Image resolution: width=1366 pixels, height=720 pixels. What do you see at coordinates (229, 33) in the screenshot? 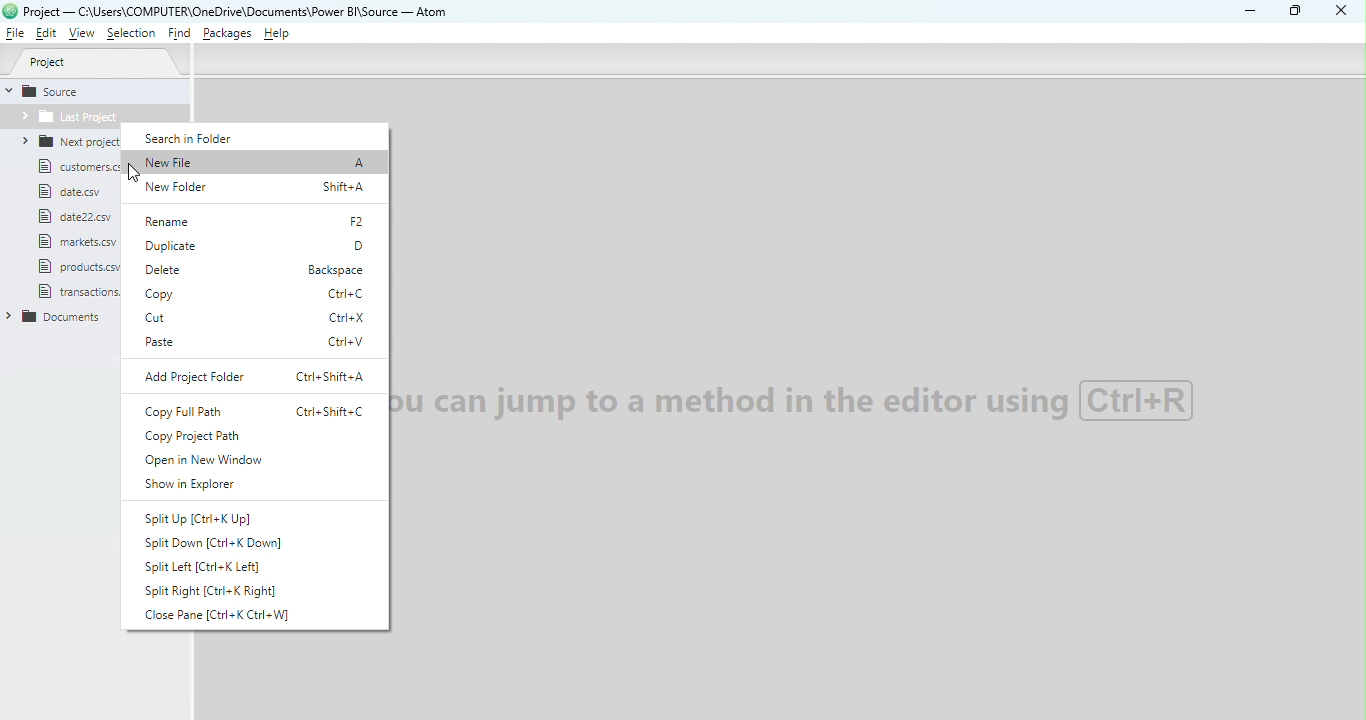
I see `Packages` at bounding box center [229, 33].